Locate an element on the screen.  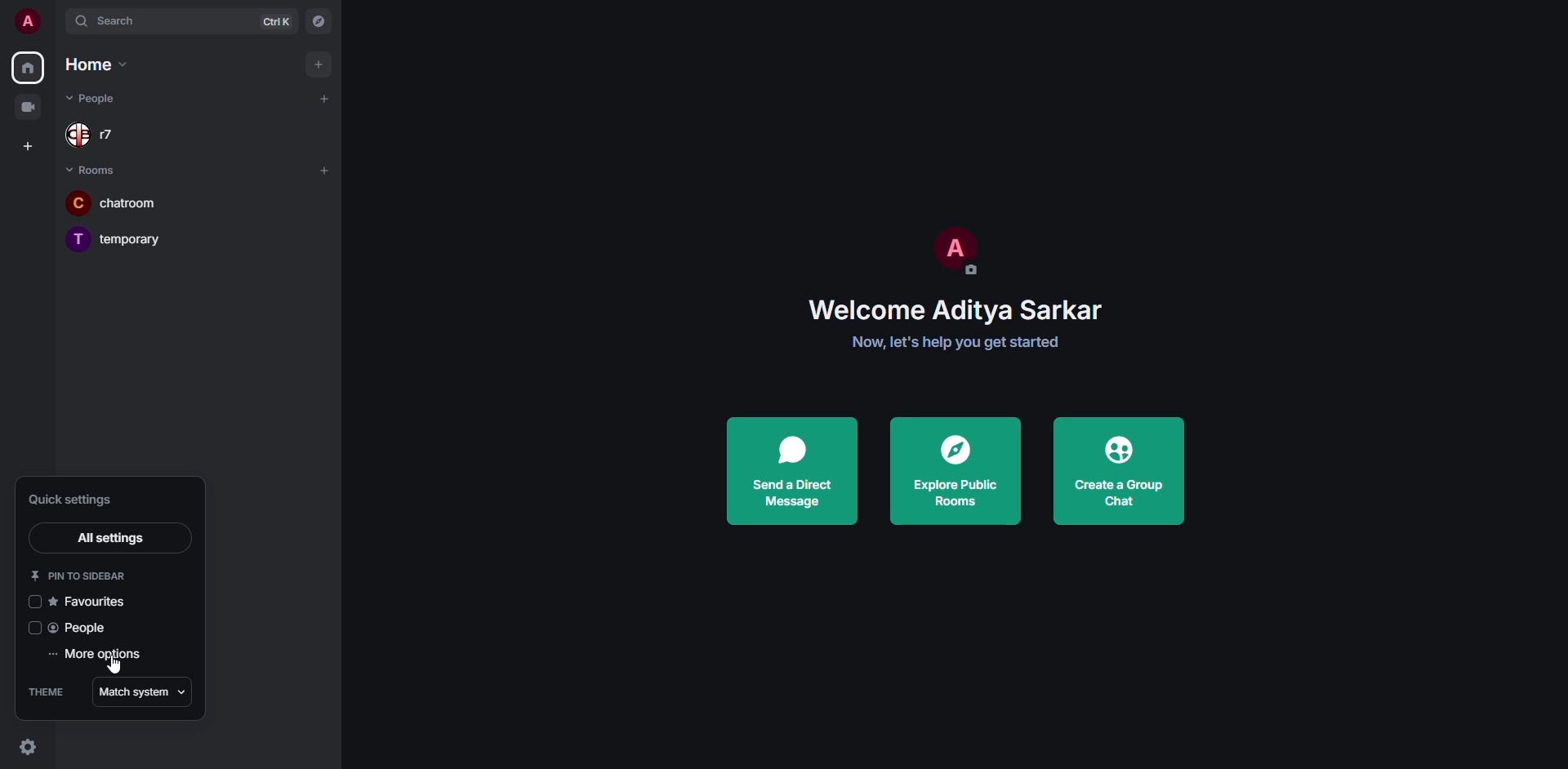
ctrl K is located at coordinates (278, 21).